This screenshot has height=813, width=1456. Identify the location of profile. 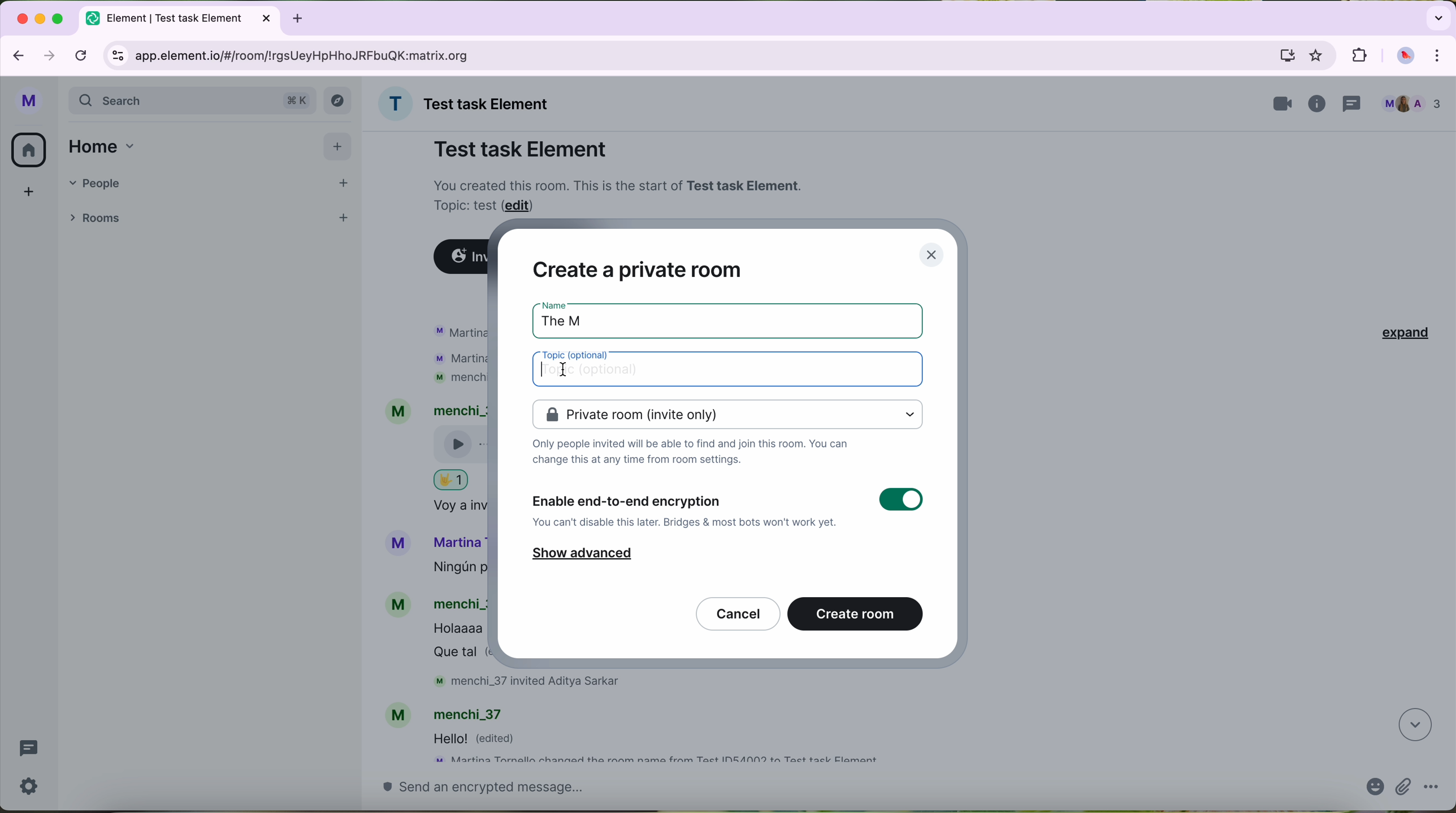
(29, 103).